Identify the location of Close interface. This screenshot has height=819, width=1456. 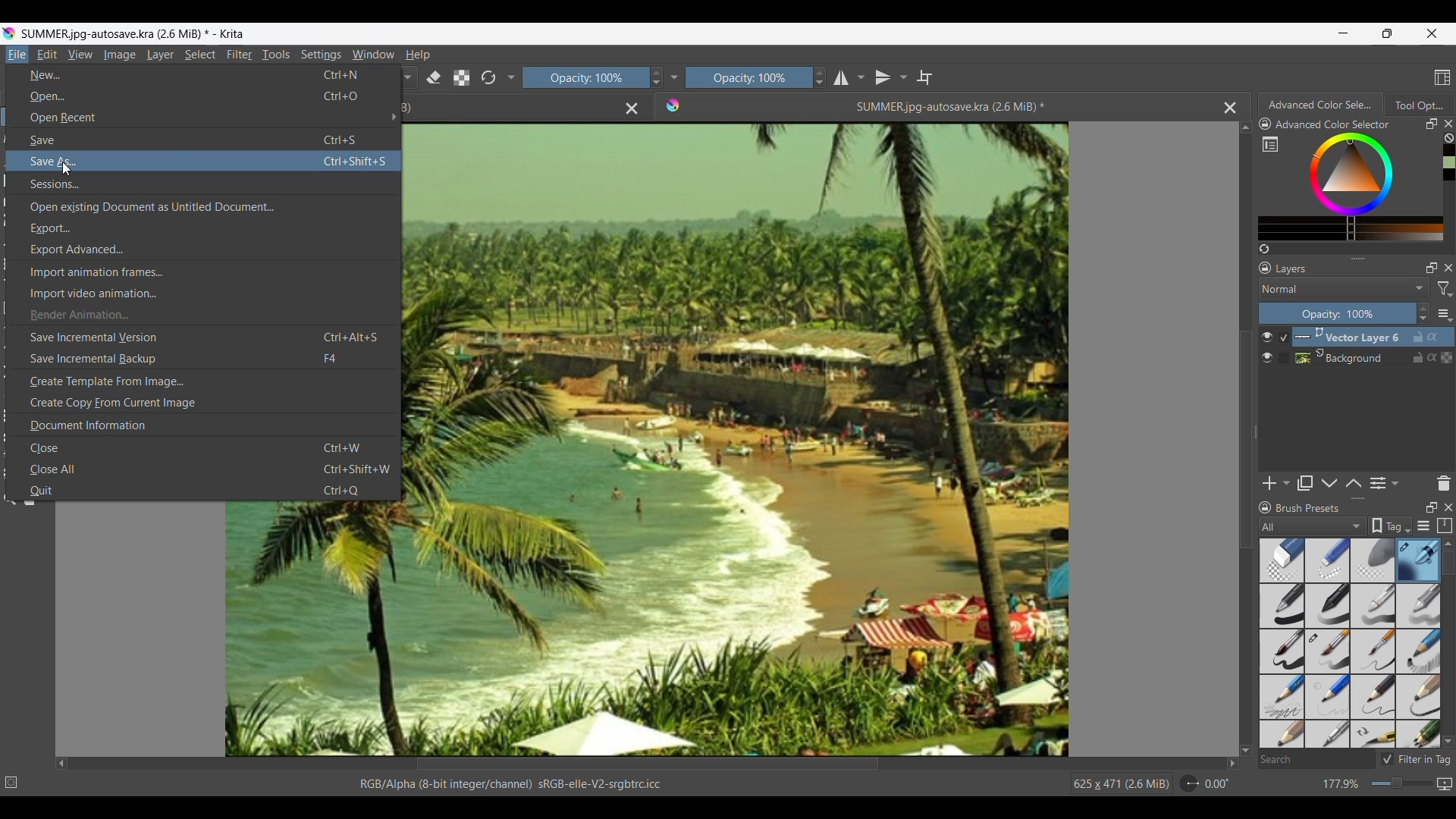
(1432, 33).